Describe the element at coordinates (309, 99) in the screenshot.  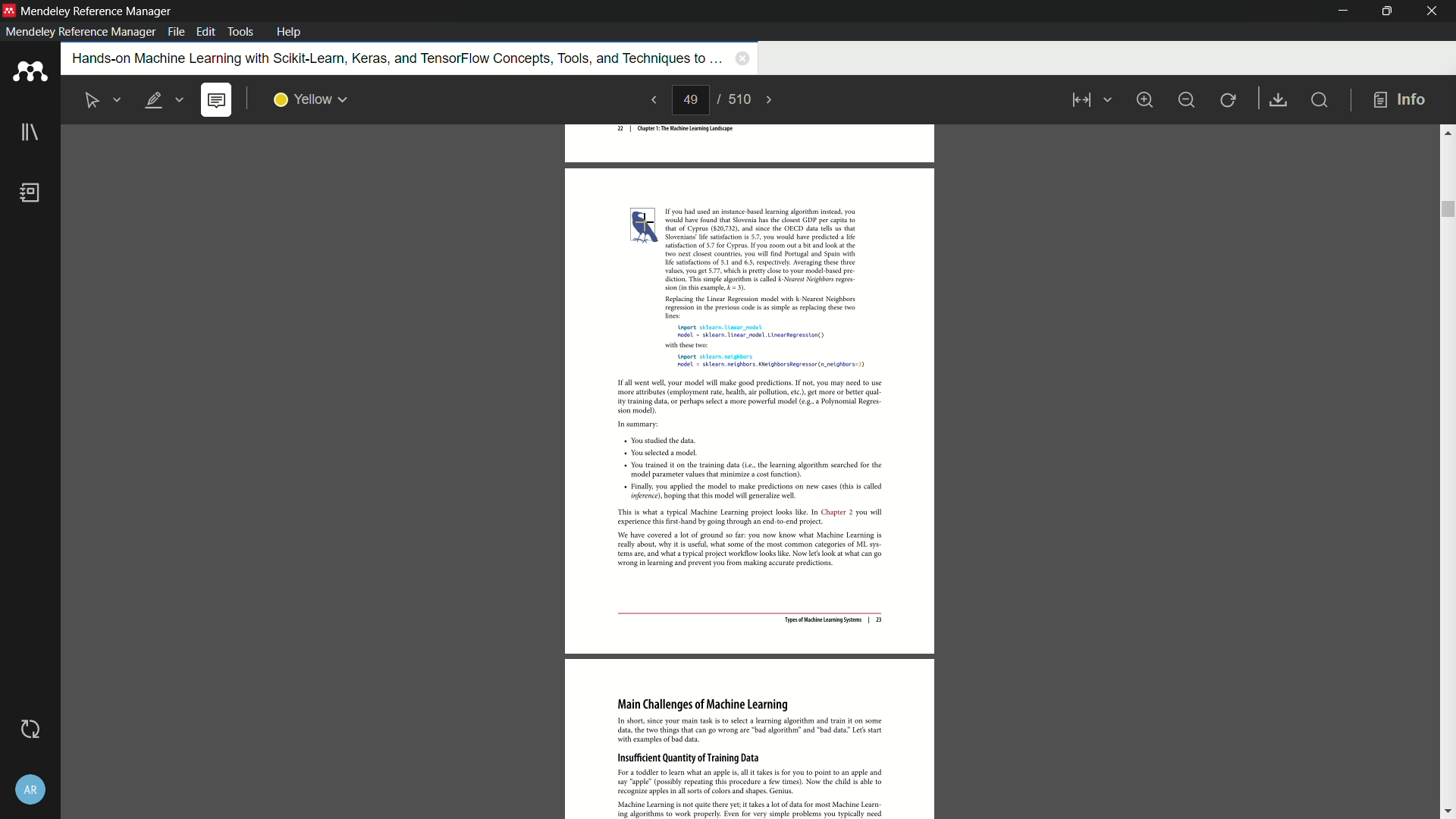
I see `text highlight color` at that location.